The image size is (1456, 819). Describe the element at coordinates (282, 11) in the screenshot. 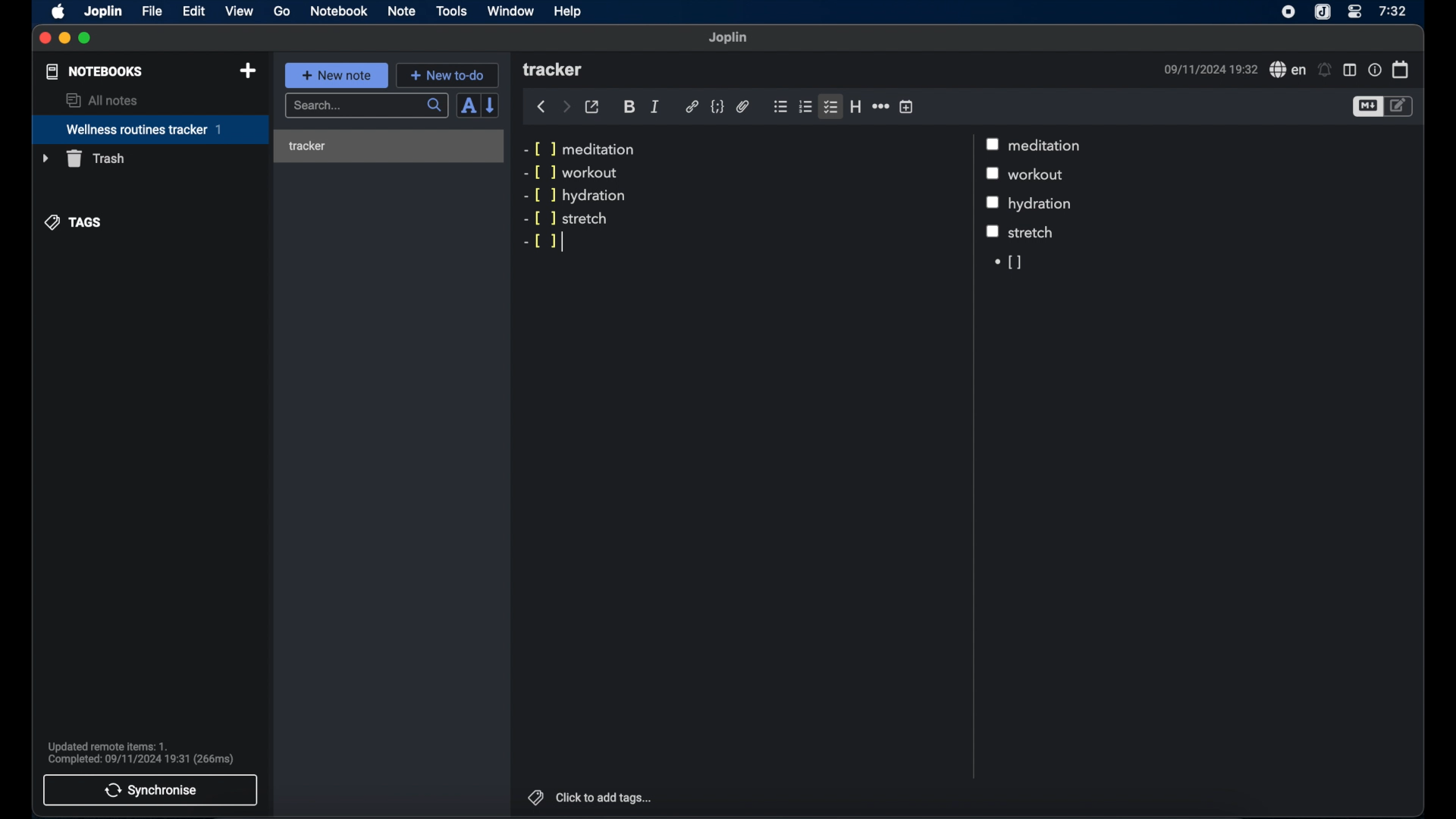

I see `go` at that location.